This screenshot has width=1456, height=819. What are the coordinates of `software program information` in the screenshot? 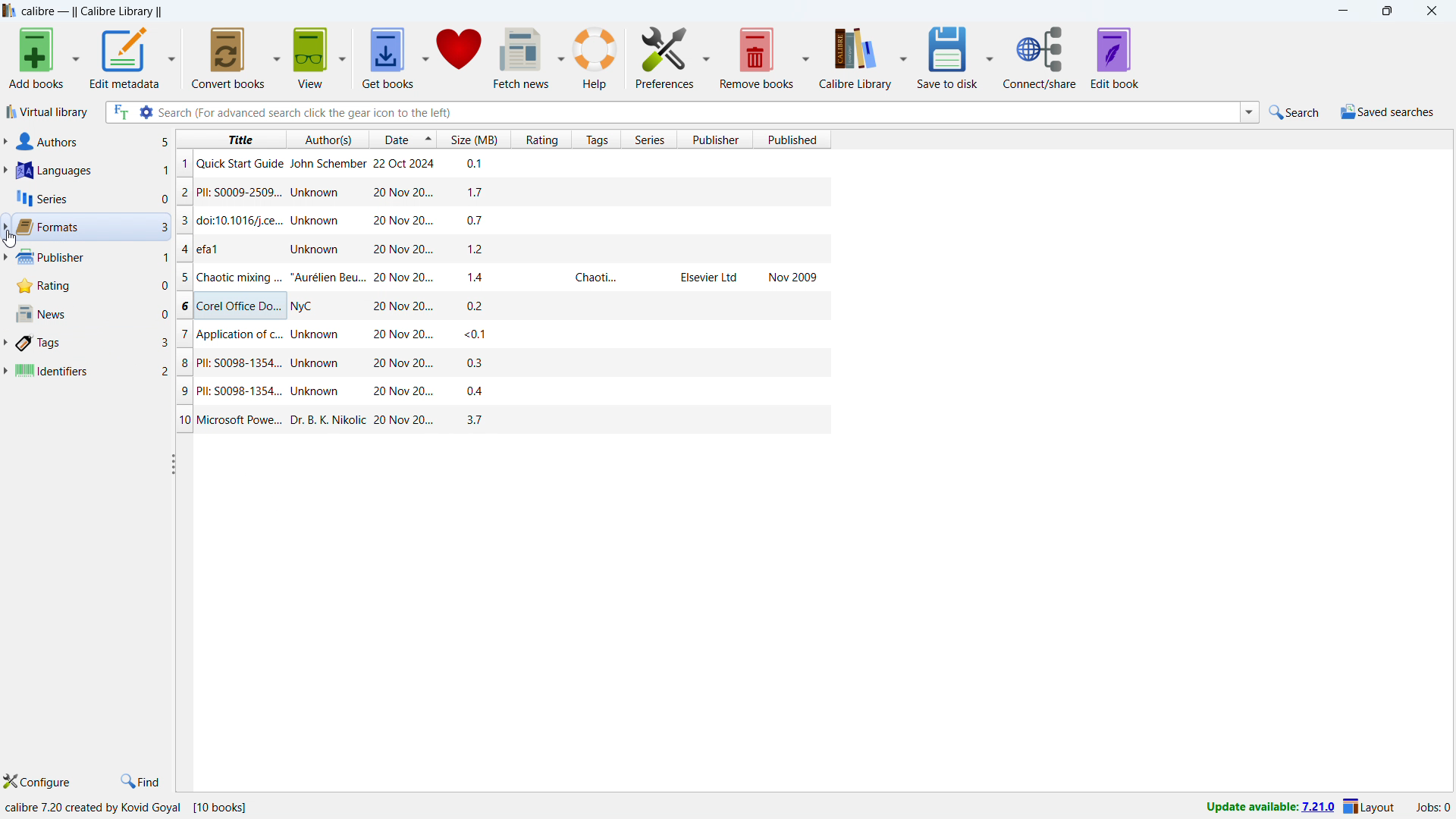 It's located at (127, 808).